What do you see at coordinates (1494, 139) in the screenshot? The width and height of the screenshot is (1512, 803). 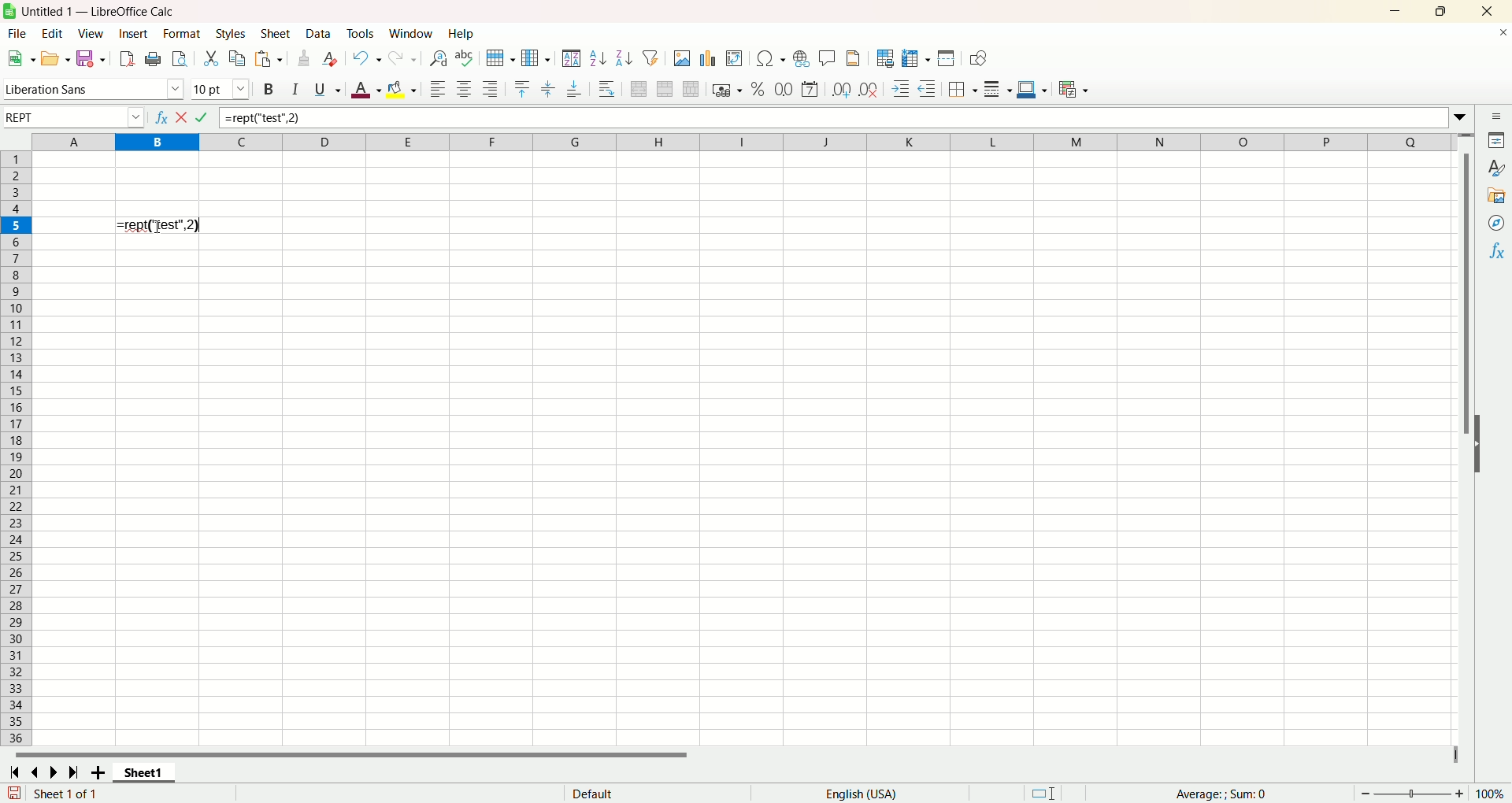 I see `properties` at bounding box center [1494, 139].